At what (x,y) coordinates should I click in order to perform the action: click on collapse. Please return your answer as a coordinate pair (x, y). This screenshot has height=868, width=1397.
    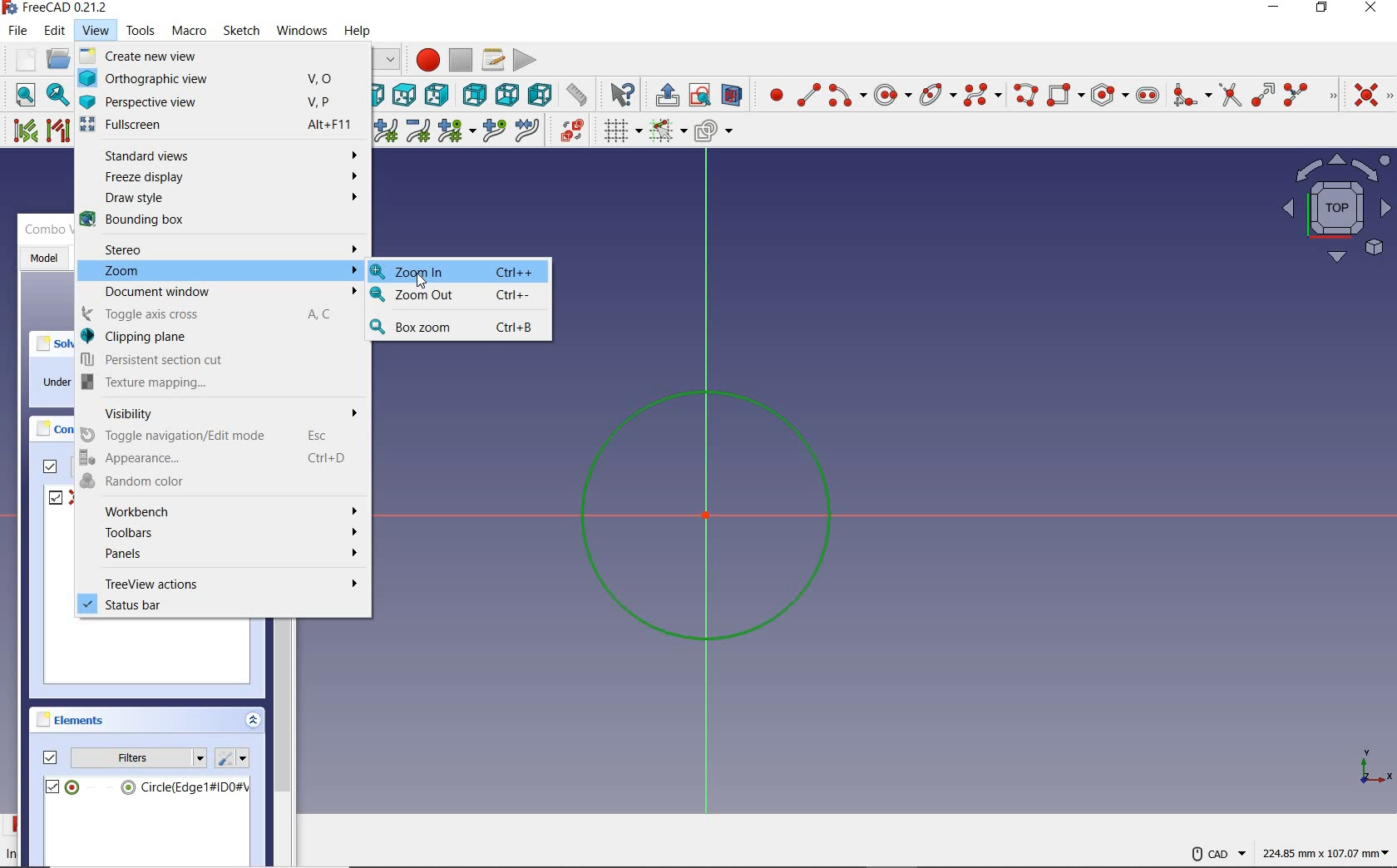
    Looking at the image, I should click on (254, 722).